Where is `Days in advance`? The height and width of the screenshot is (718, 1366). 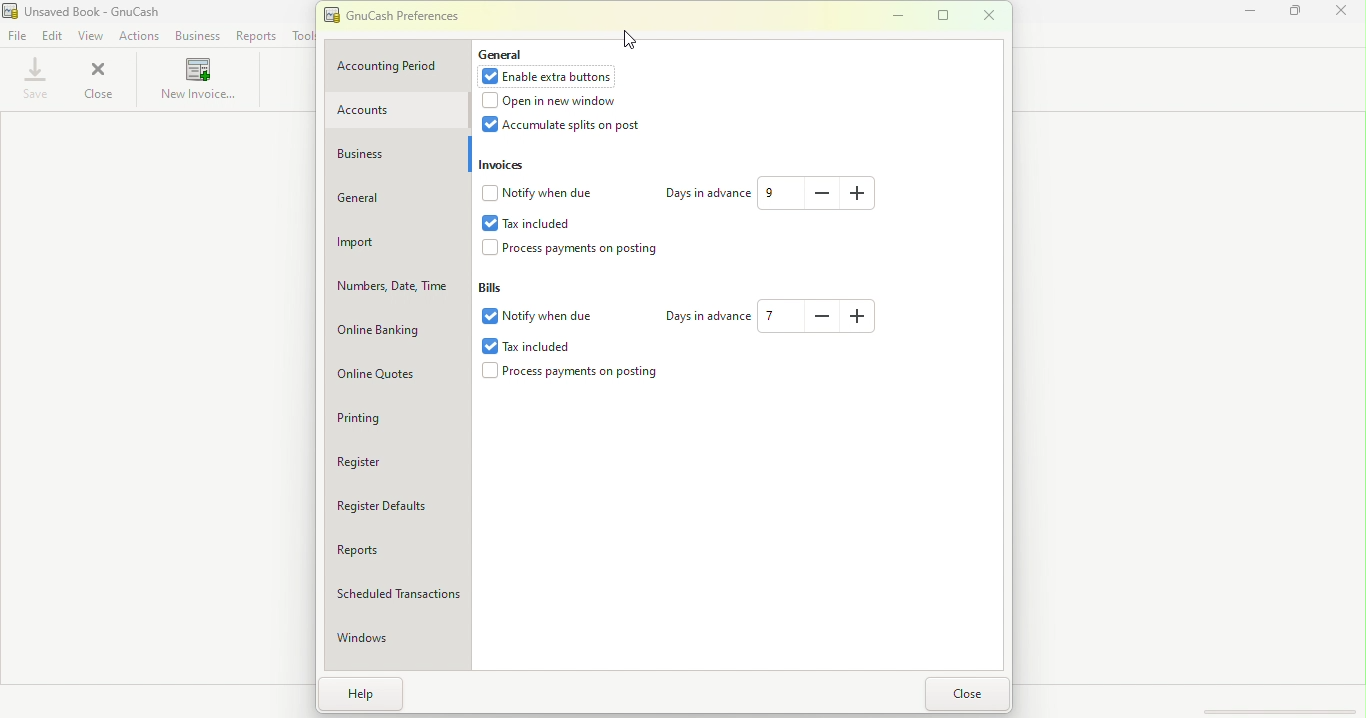
Days in advance is located at coordinates (702, 194).